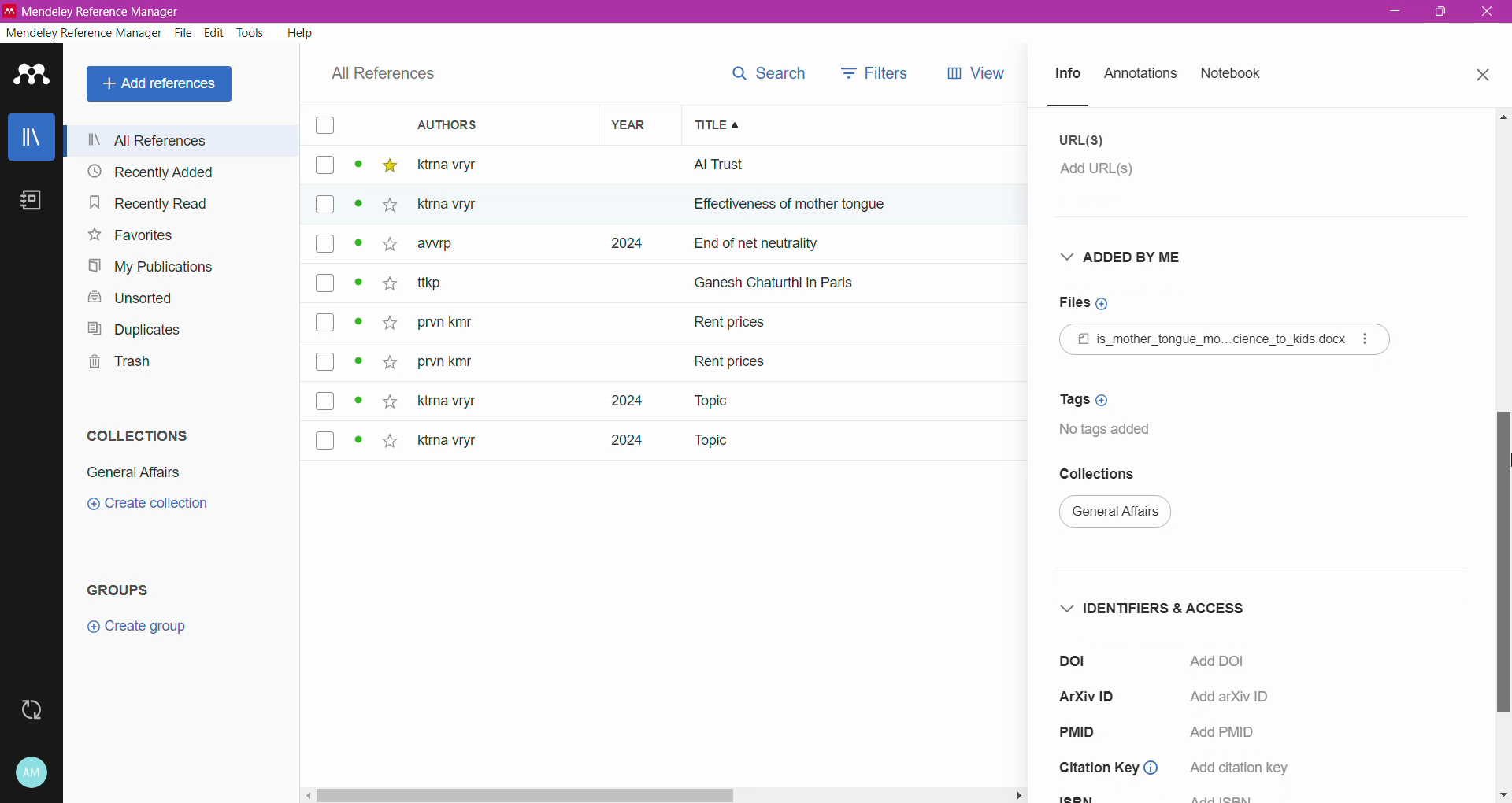 The height and width of the screenshot is (803, 1512). What do you see at coordinates (770, 208) in the screenshot?
I see `effectiveness of mother ton` at bounding box center [770, 208].